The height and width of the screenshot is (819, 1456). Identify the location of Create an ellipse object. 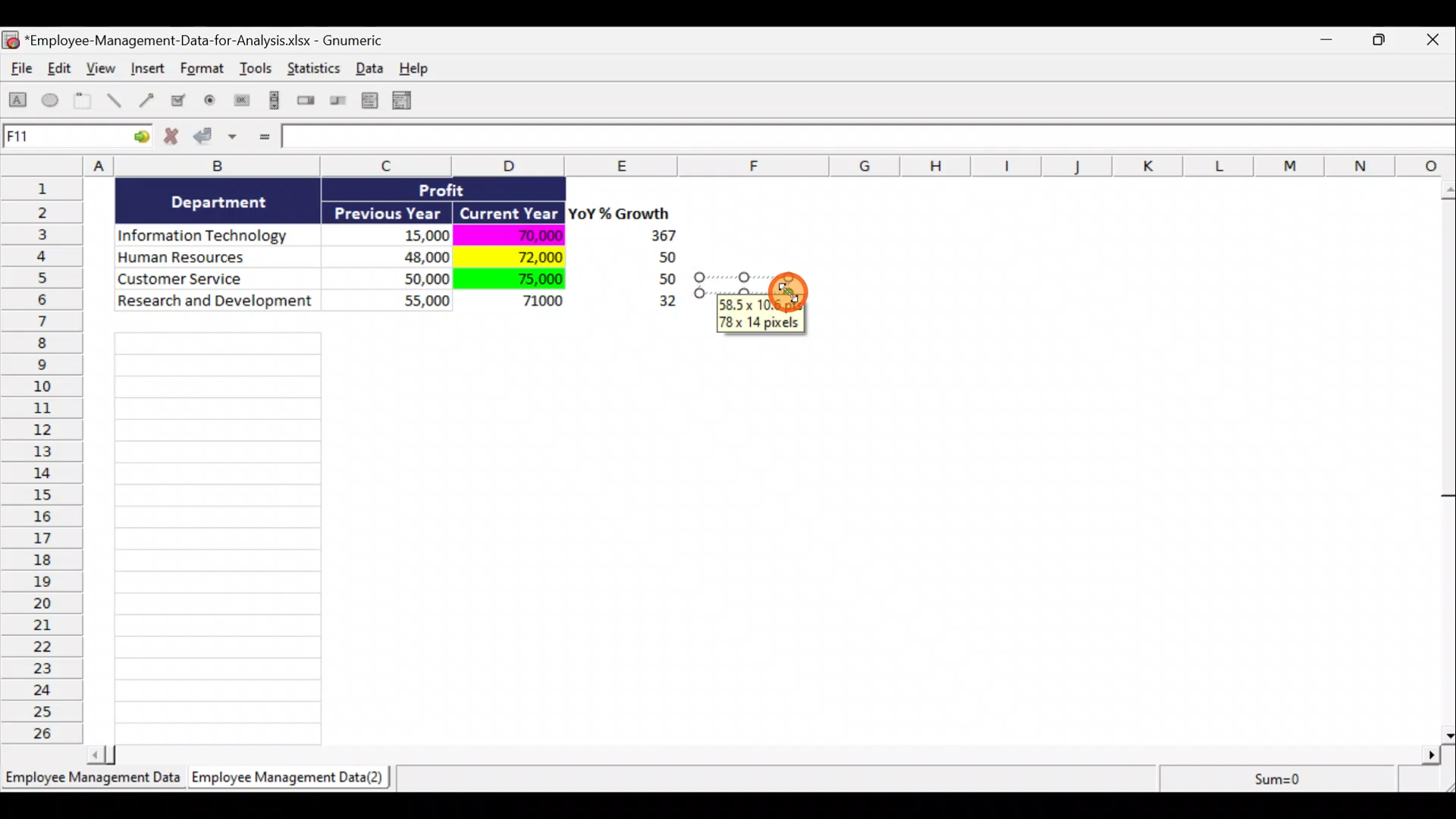
(51, 101).